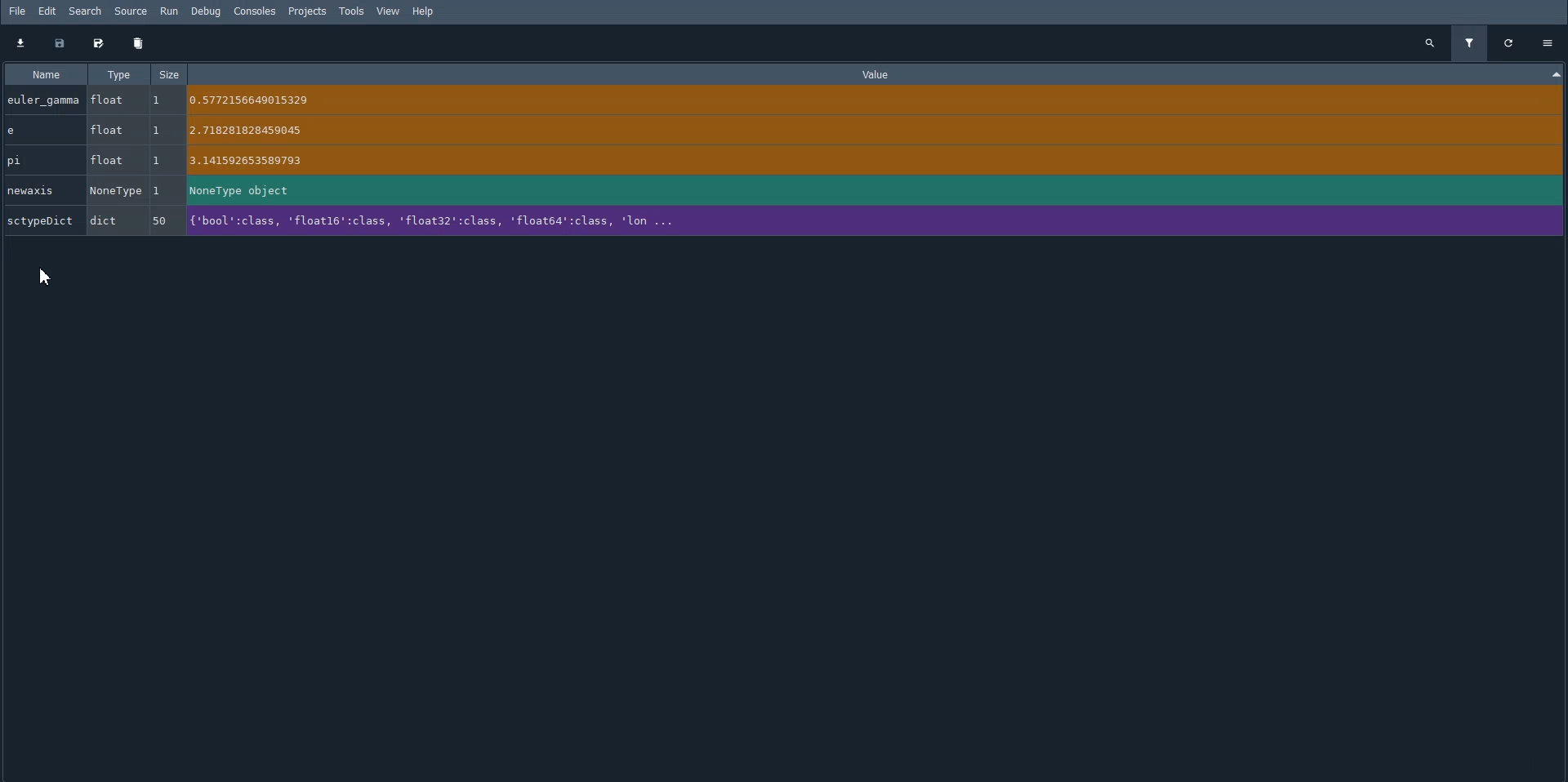 The width and height of the screenshot is (1568, 782). Describe the element at coordinates (207, 11) in the screenshot. I see `Debug` at that location.